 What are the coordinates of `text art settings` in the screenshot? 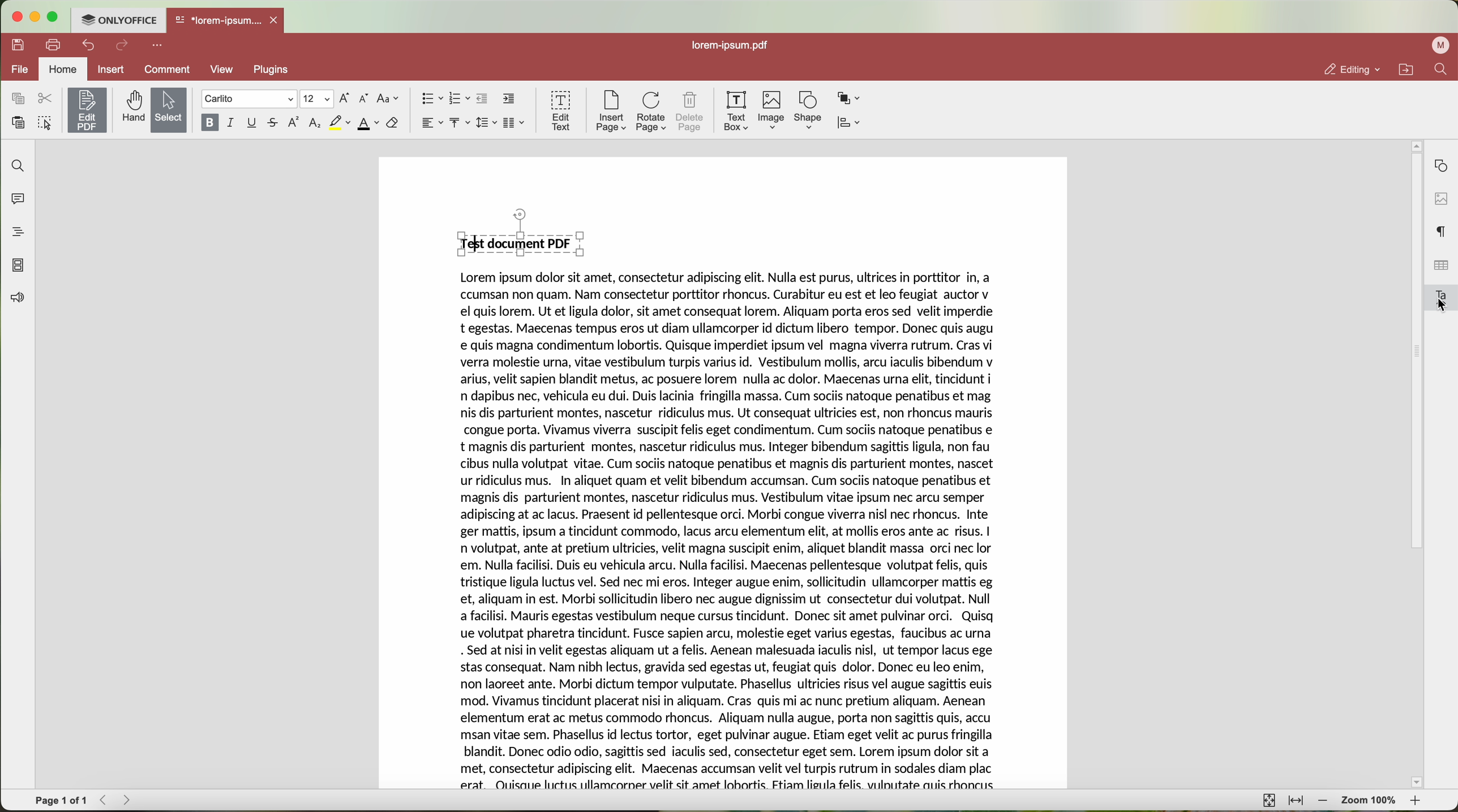 It's located at (1442, 297).